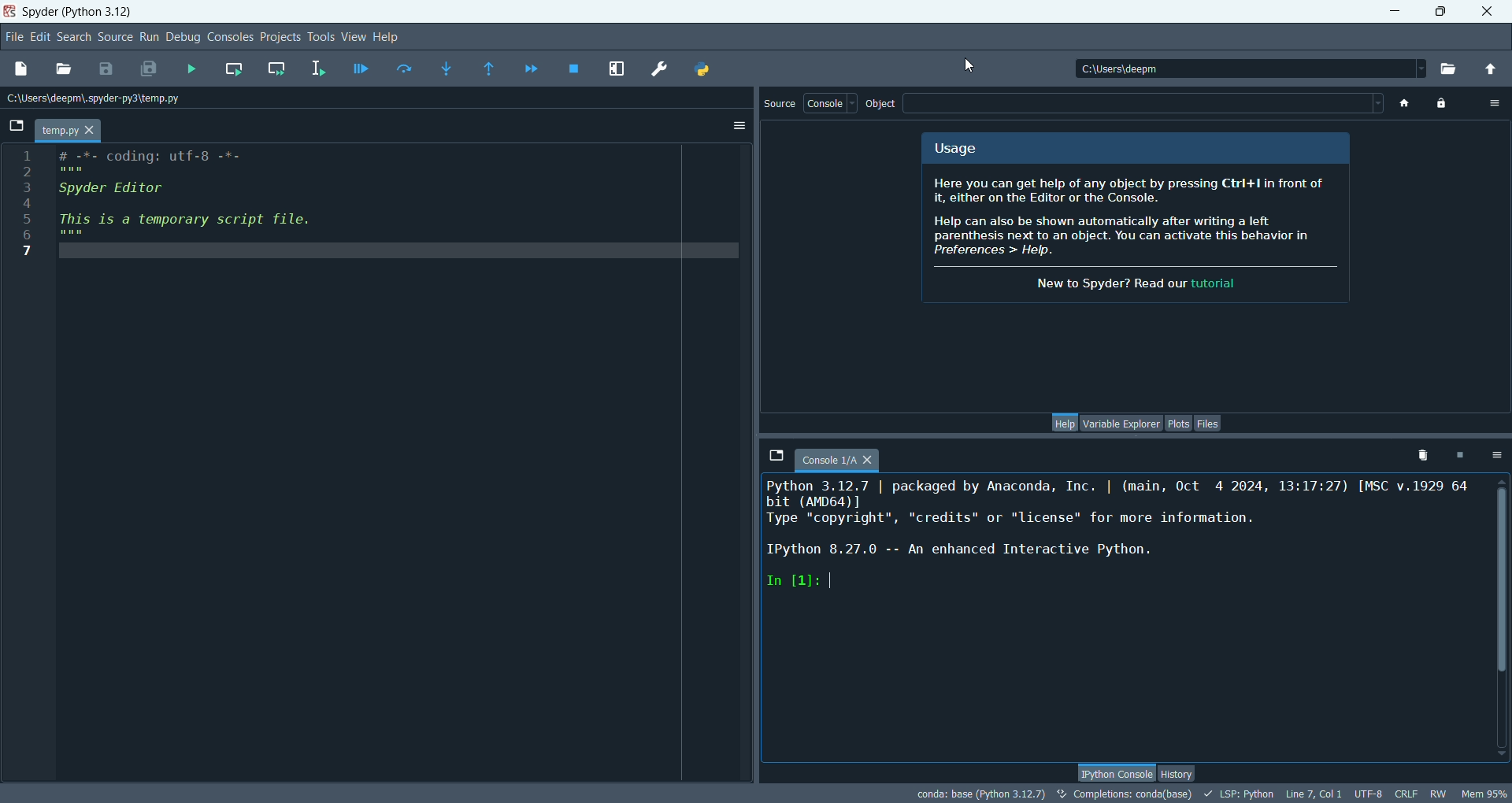 The height and width of the screenshot is (803, 1512). I want to click on preferences, so click(659, 68).